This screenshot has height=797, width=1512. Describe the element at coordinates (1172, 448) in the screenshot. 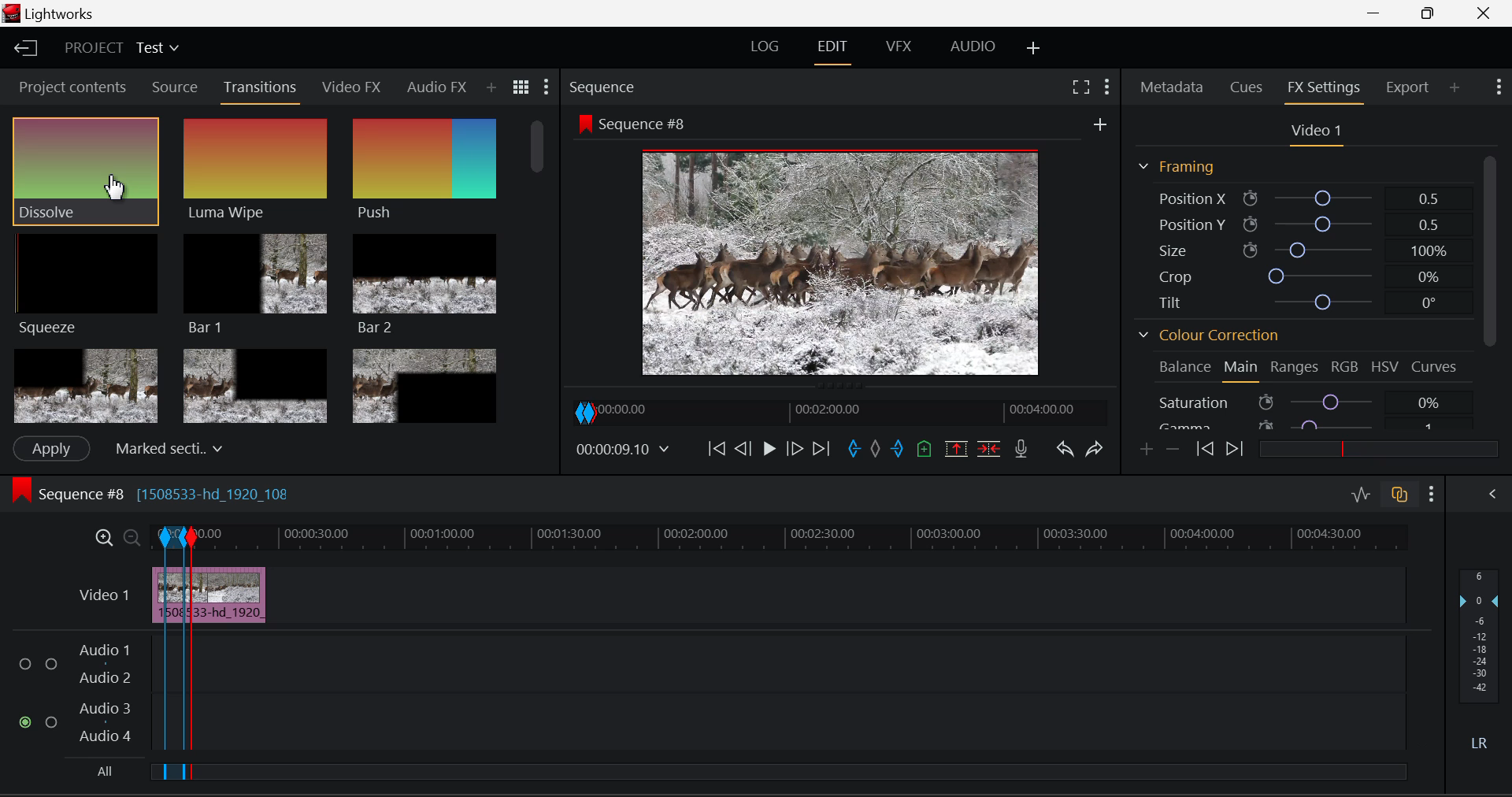

I see `Delete keyframes` at that location.